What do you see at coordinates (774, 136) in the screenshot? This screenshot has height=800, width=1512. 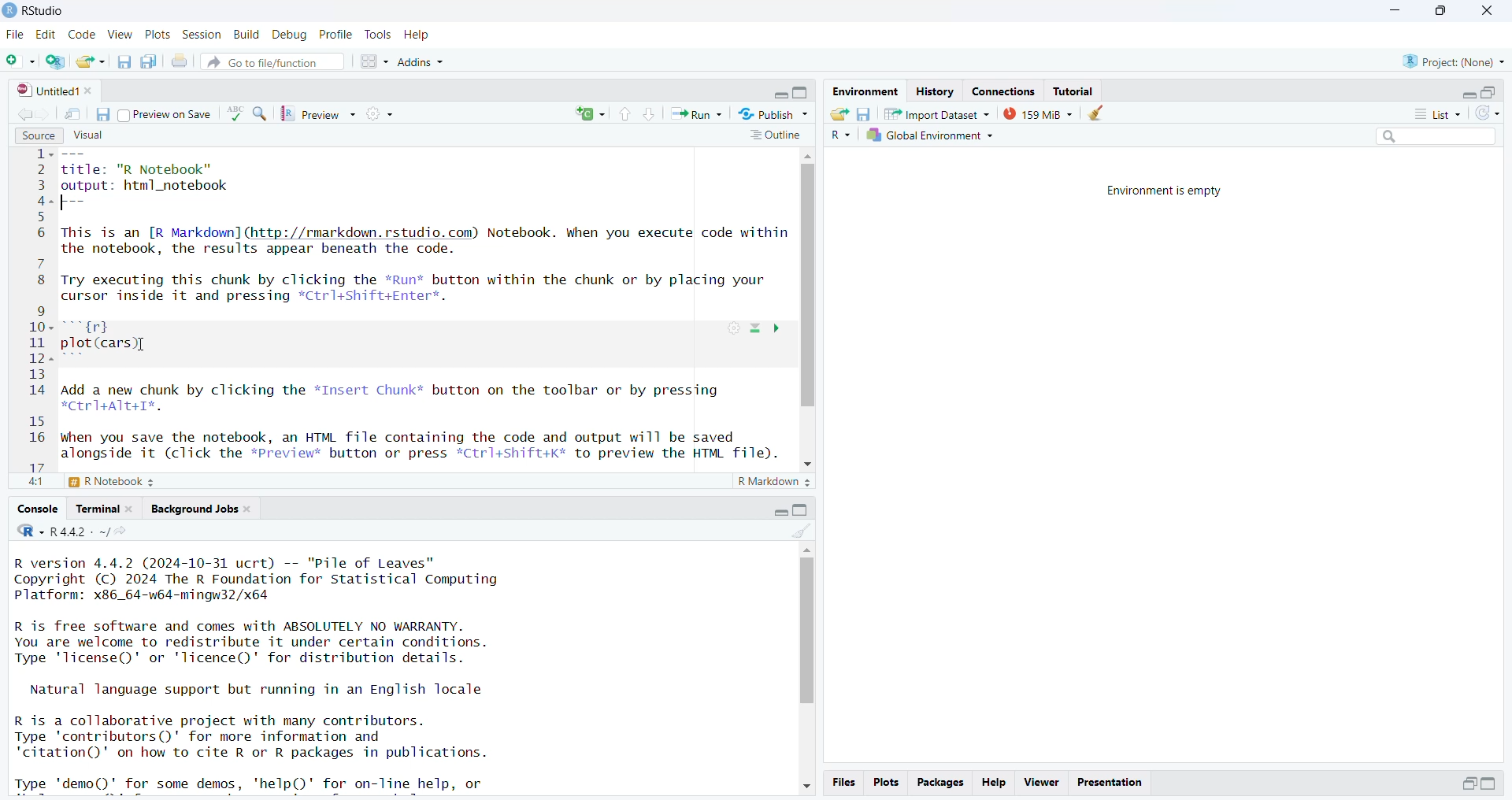 I see `outline` at bounding box center [774, 136].